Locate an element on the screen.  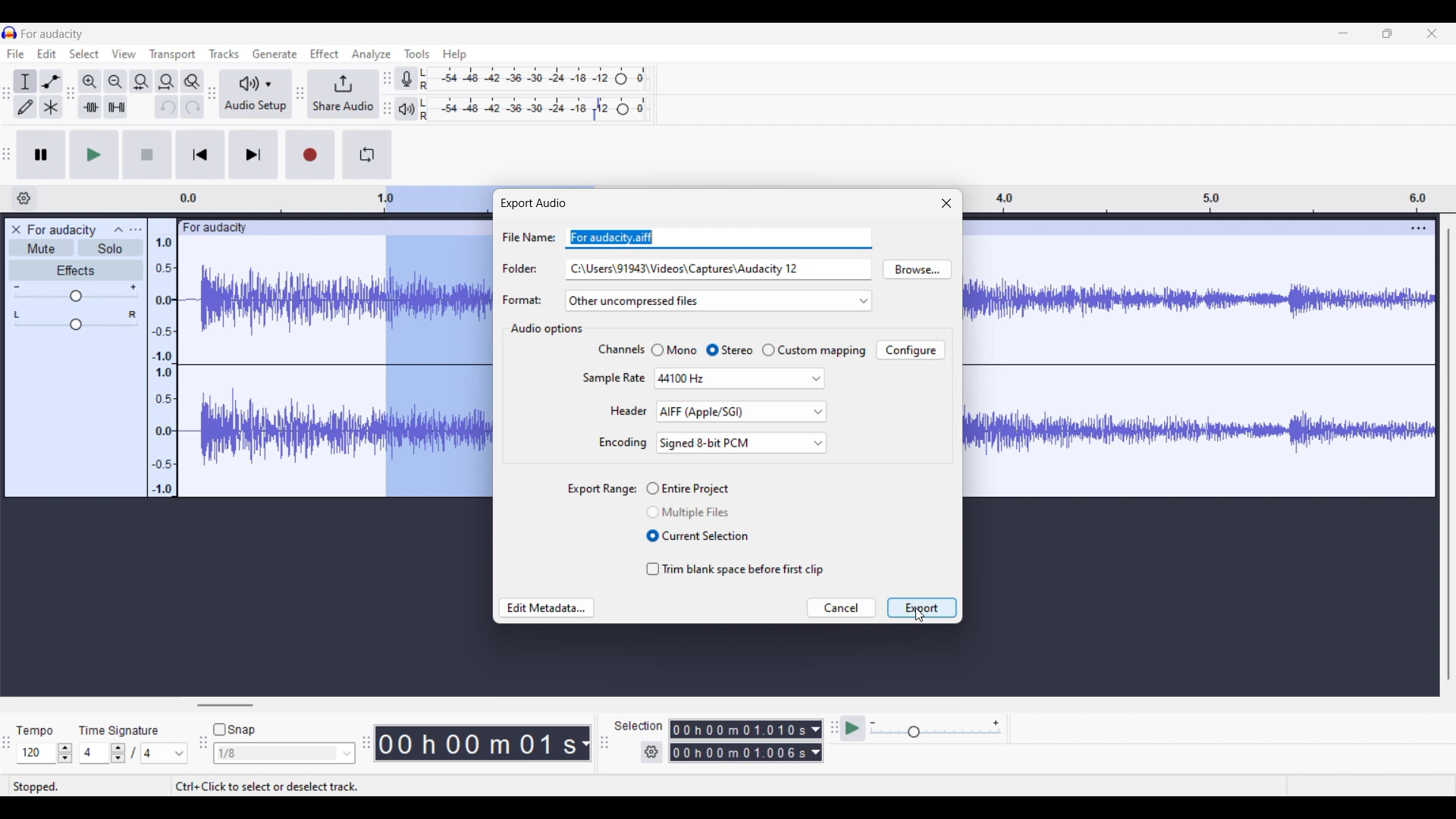
C:\Users\91943\Videos\Captures\Audacity -13 is located at coordinates (690, 270).